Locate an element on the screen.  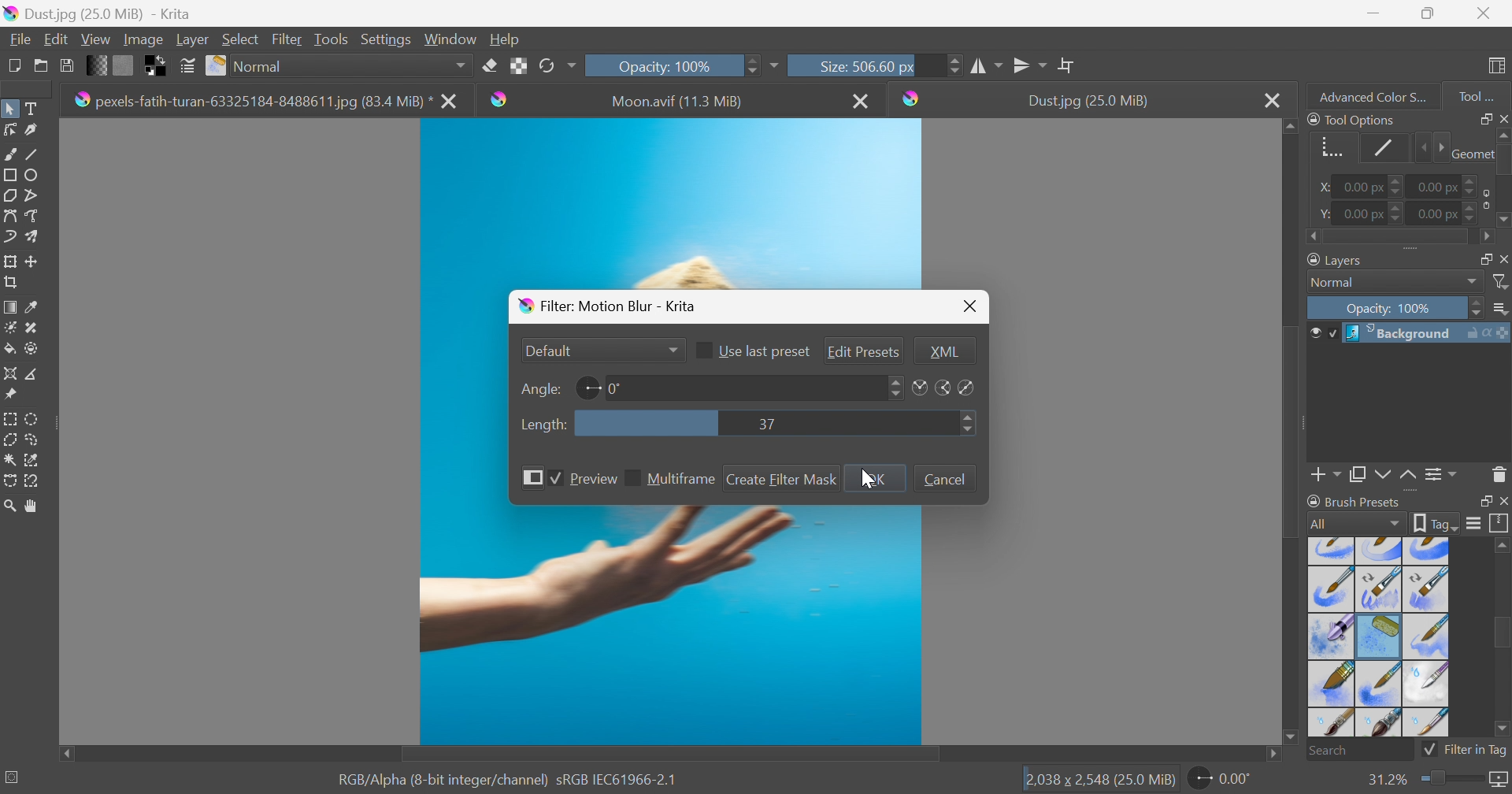
Checkbox is located at coordinates (553, 479).